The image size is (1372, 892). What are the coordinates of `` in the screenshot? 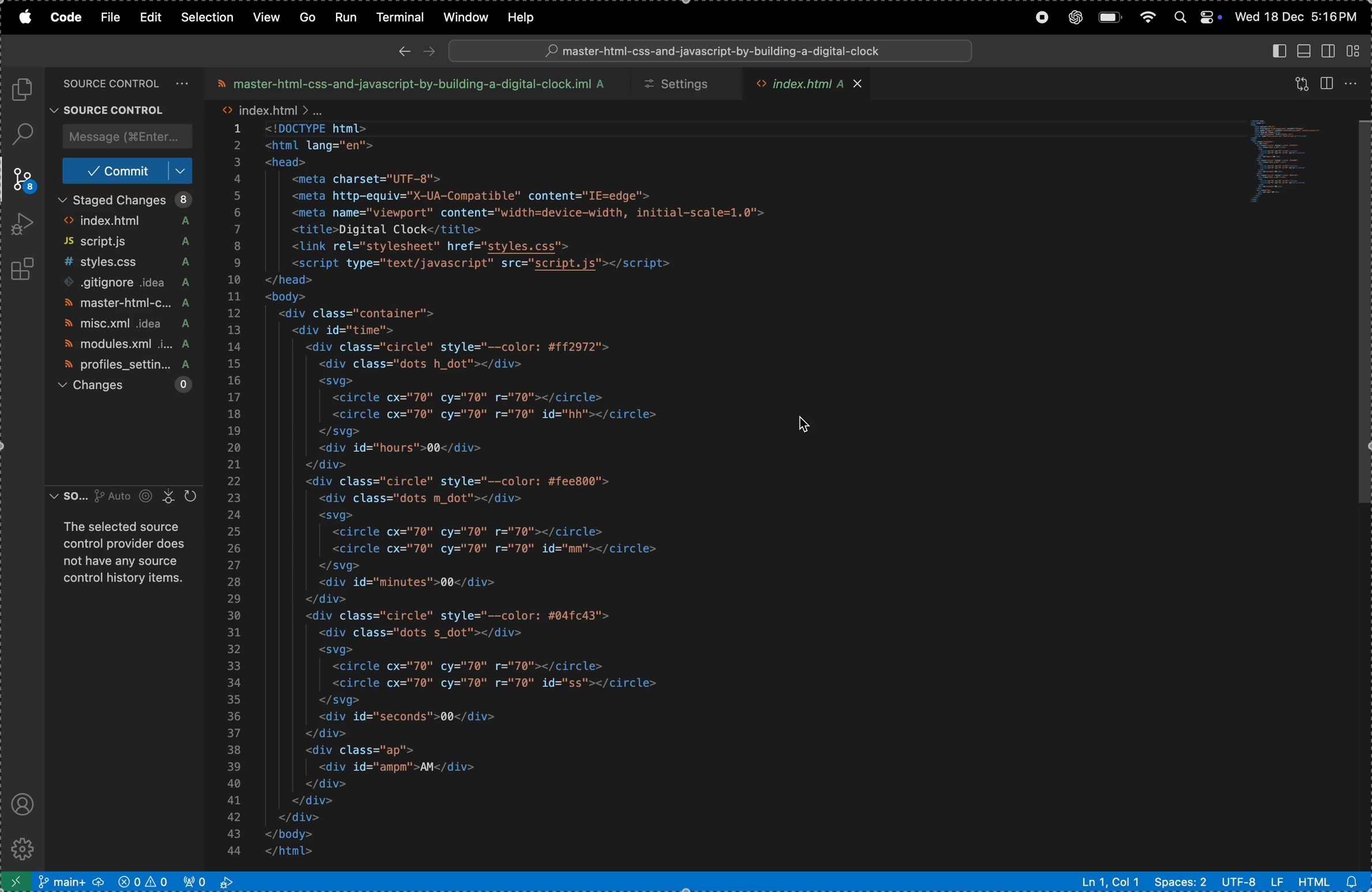 It's located at (1360, 323).